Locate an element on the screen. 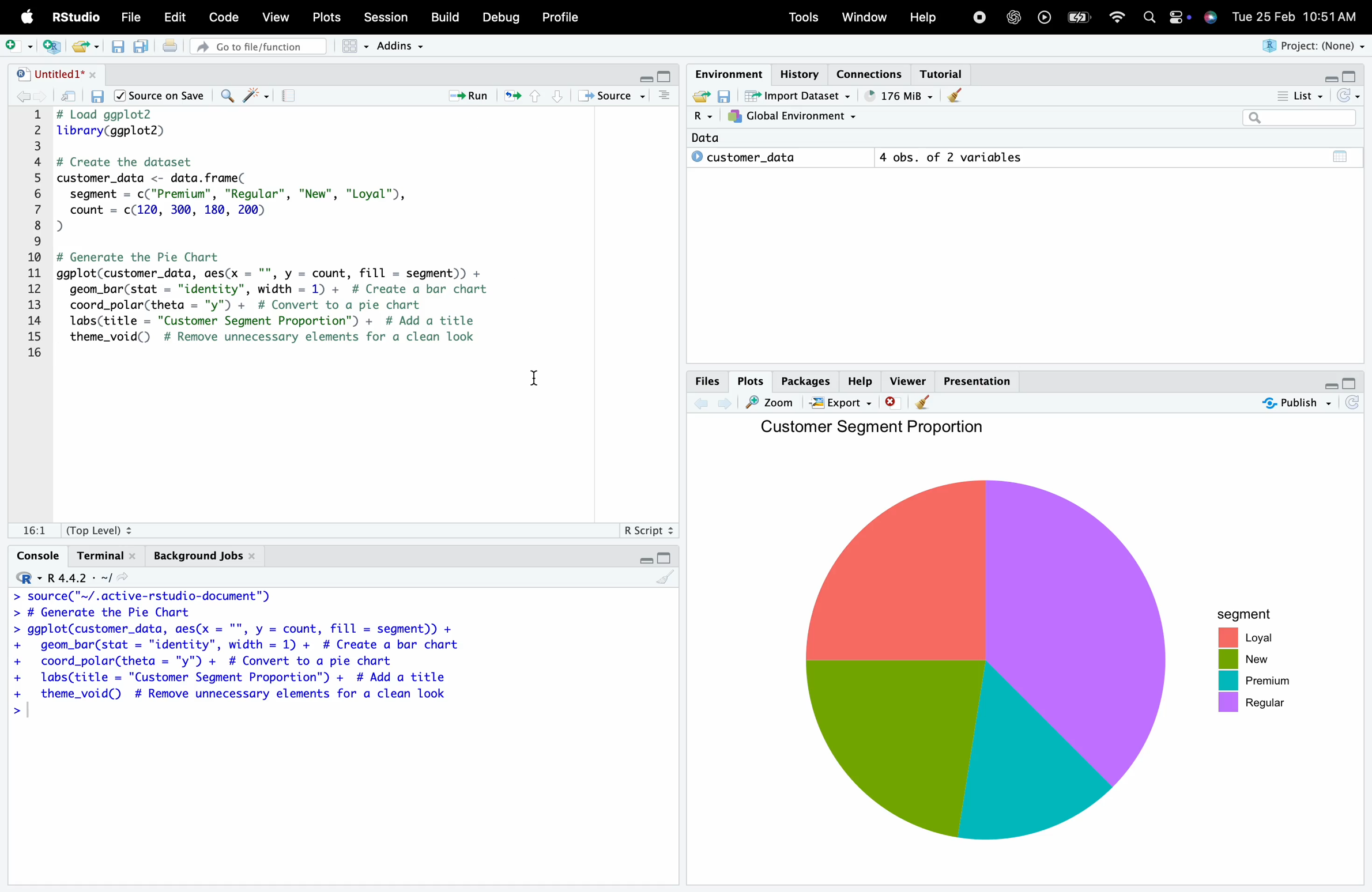 Image resolution: width=1372 pixels, height=892 pixels. /| Source on Save is located at coordinates (160, 96).